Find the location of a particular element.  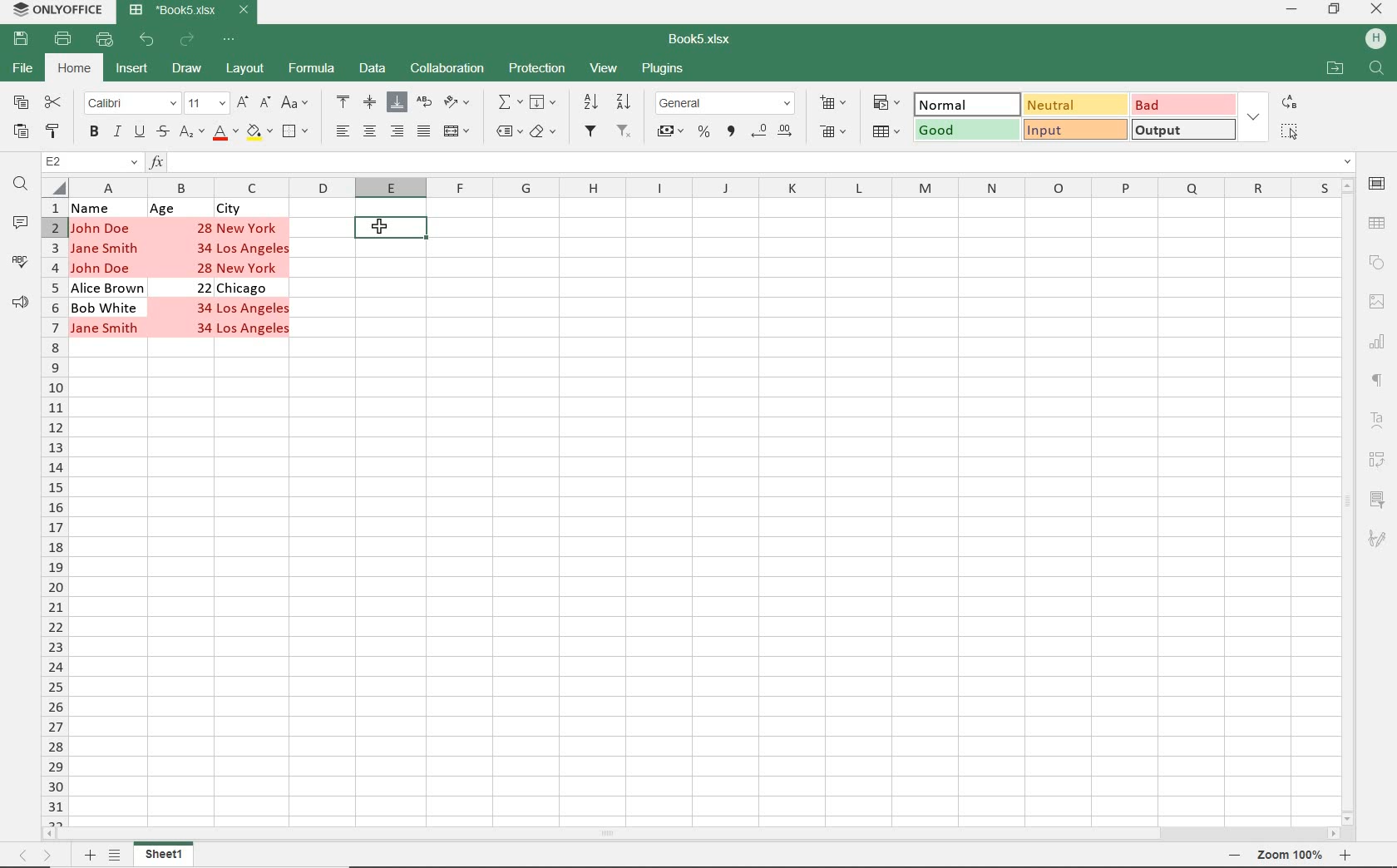

PARAGRAPH SETTINGS is located at coordinates (1377, 379).